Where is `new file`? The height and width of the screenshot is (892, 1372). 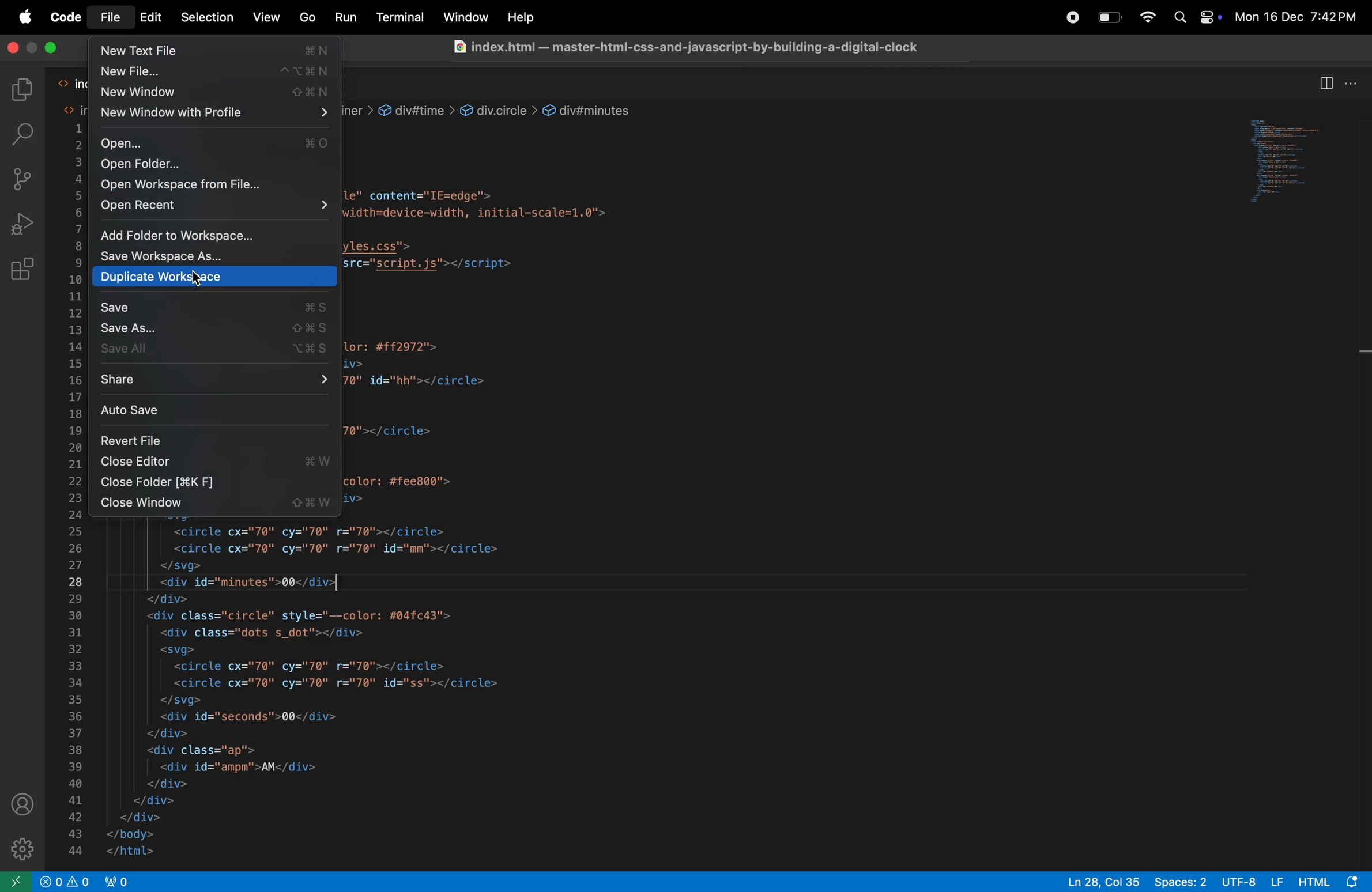
new file is located at coordinates (212, 71).